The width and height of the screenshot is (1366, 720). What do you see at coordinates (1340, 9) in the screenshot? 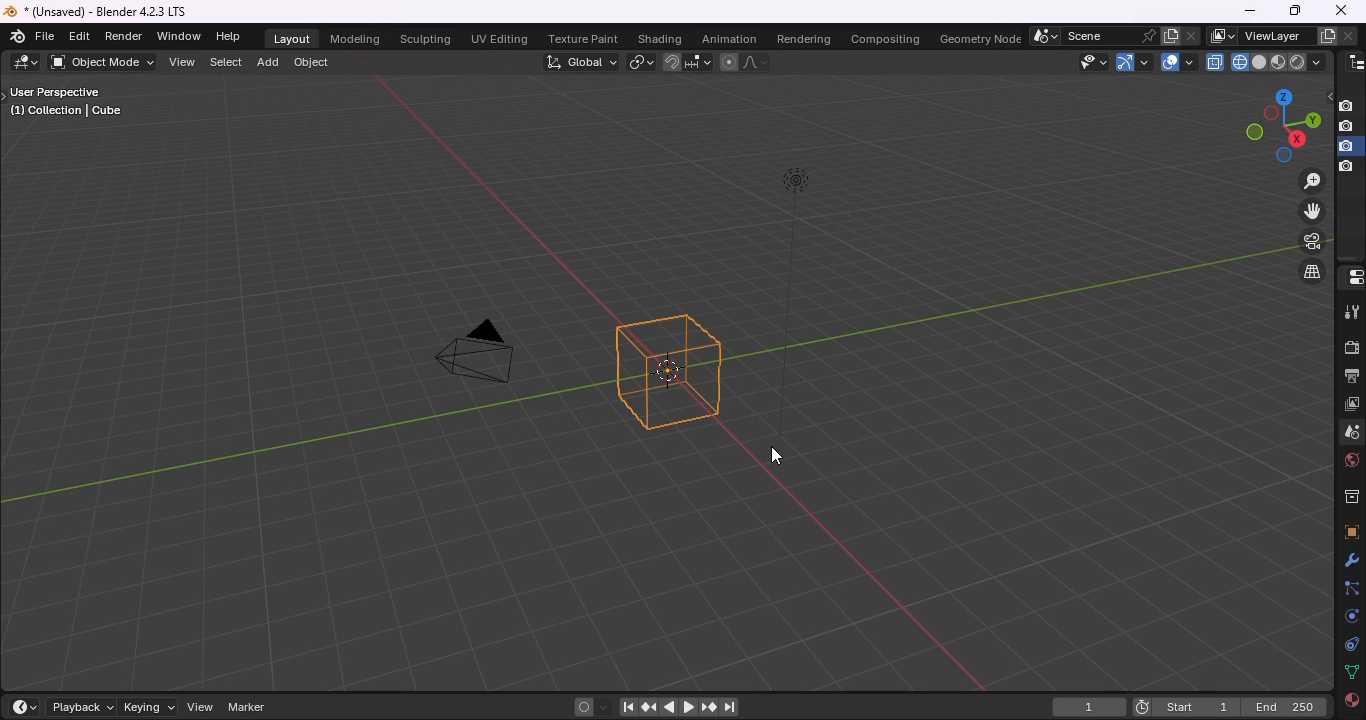
I see `close` at bounding box center [1340, 9].